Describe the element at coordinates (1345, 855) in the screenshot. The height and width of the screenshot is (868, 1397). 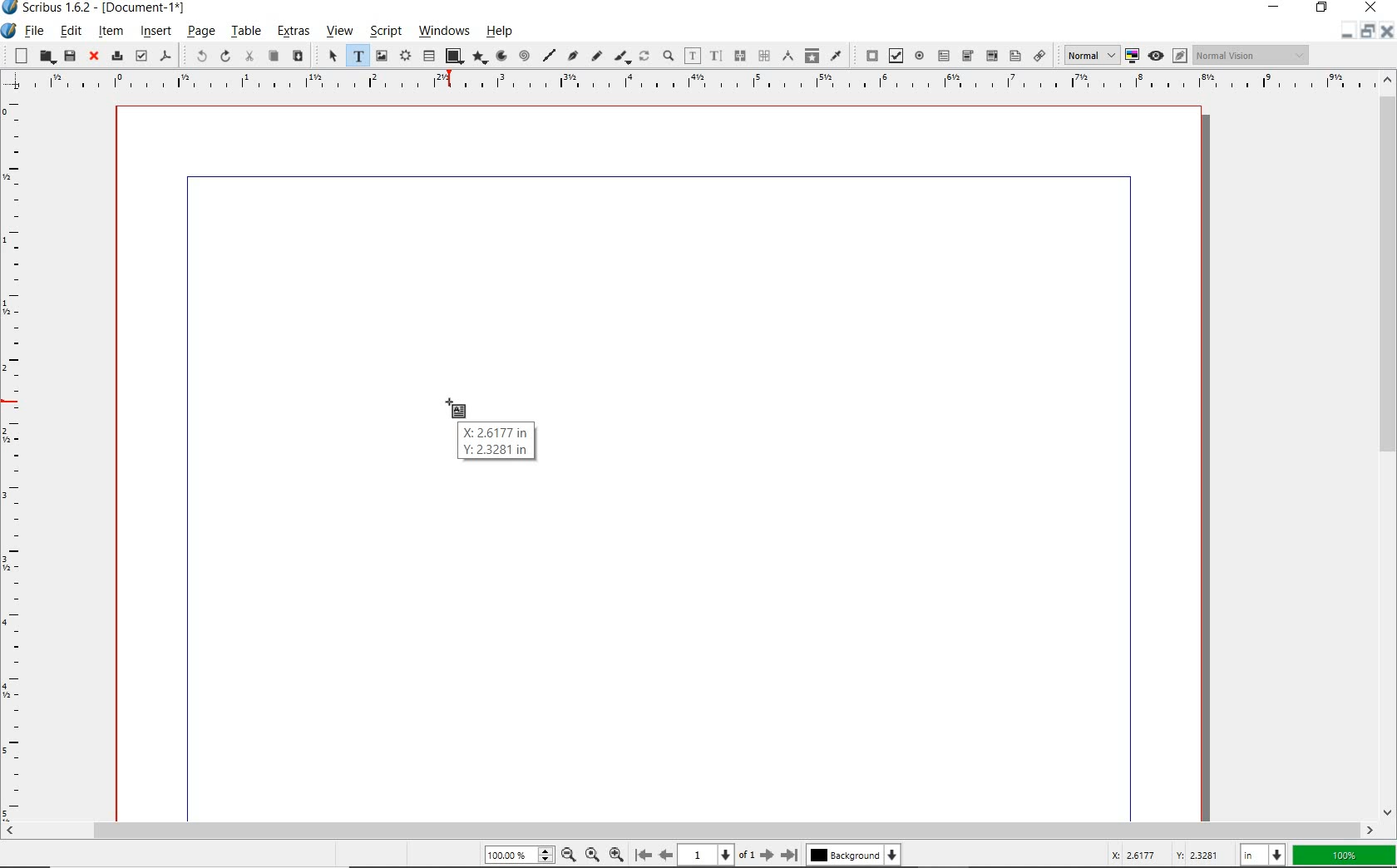
I see `zoom factor` at that location.